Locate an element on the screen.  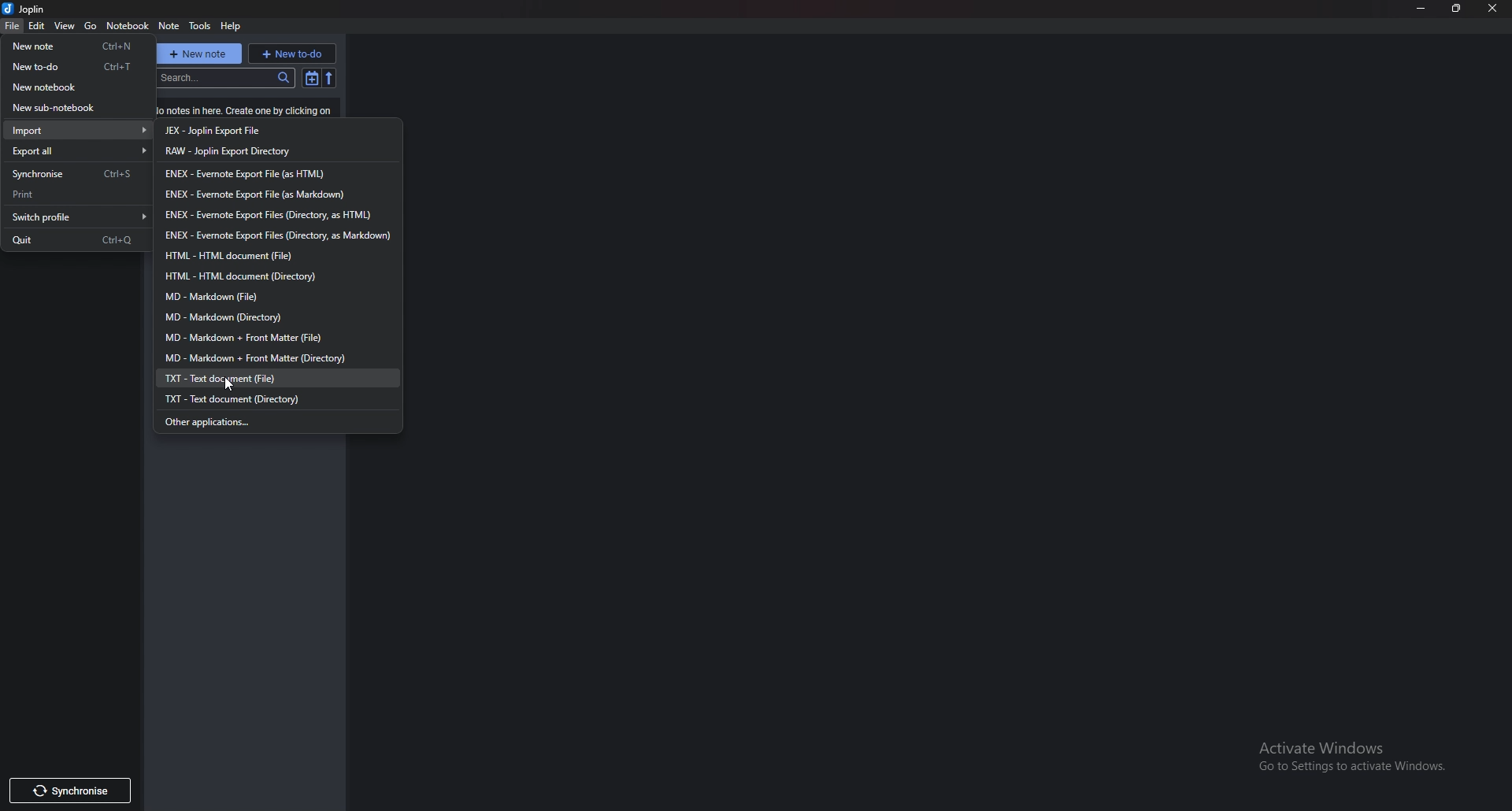
Reverse sort order is located at coordinates (330, 78).